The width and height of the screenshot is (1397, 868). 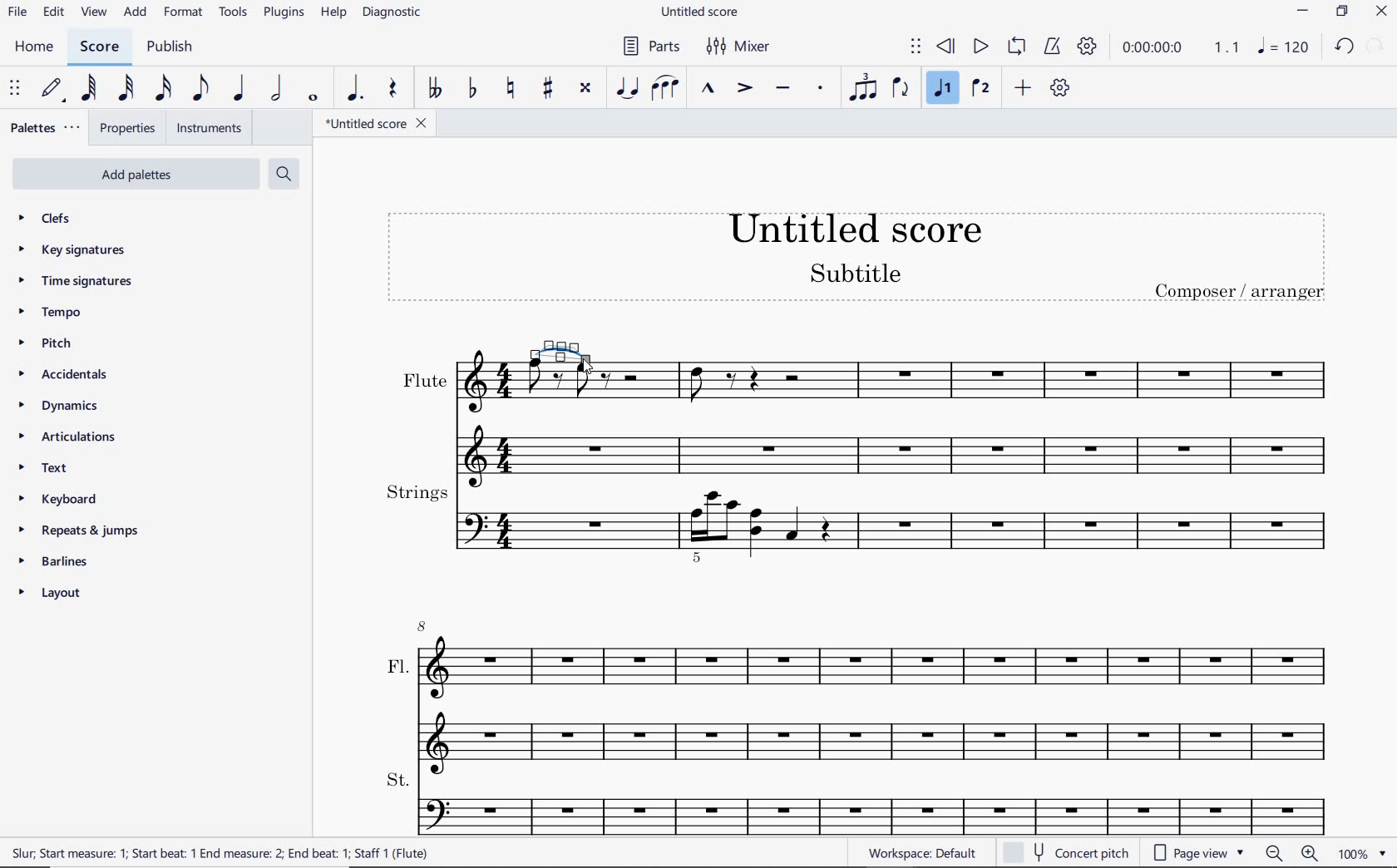 What do you see at coordinates (860, 803) in the screenshot?
I see `St.` at bounding box center [860, 803].